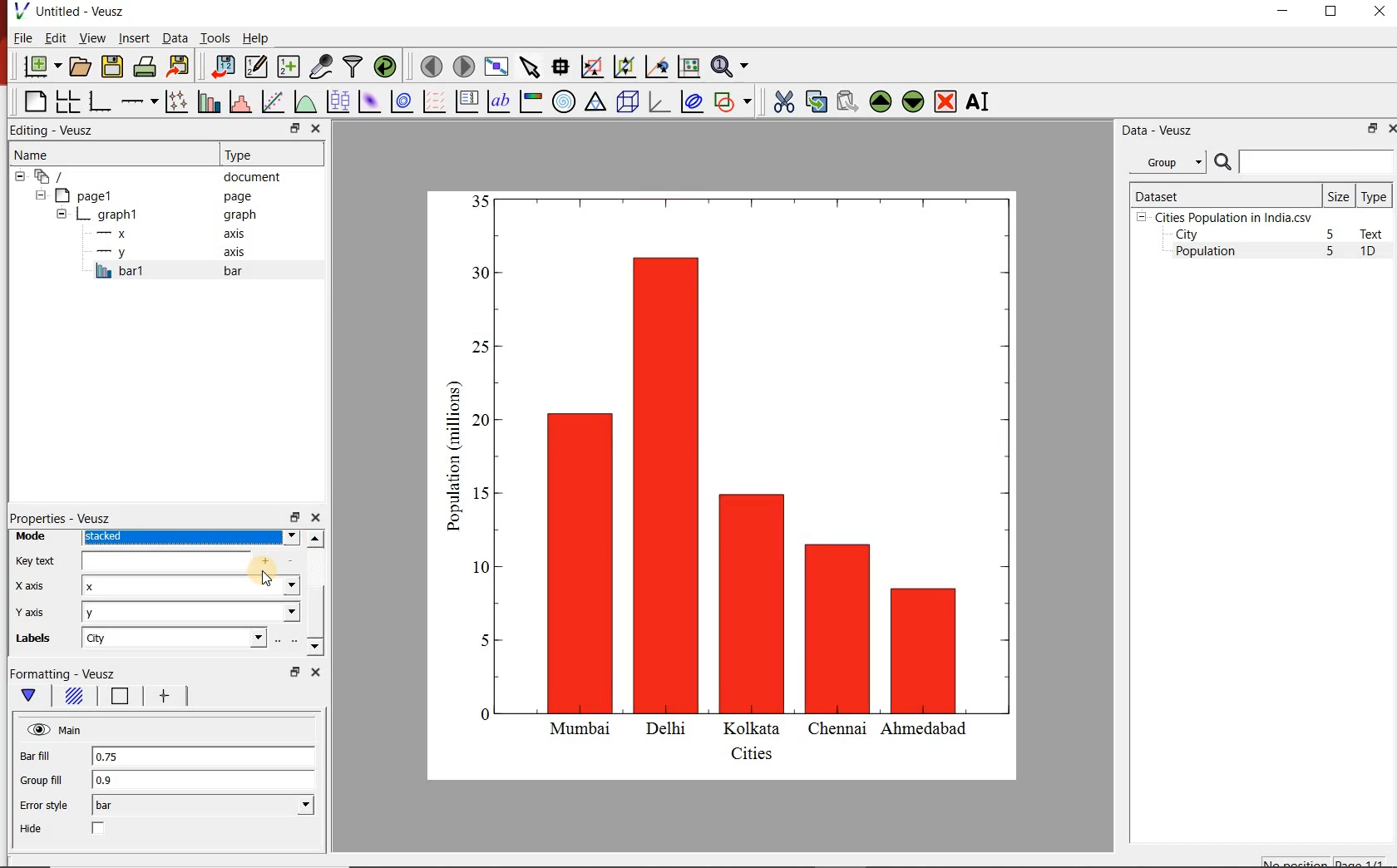  I want to click on plot a 2d dataset as an image, so click(368, 100).